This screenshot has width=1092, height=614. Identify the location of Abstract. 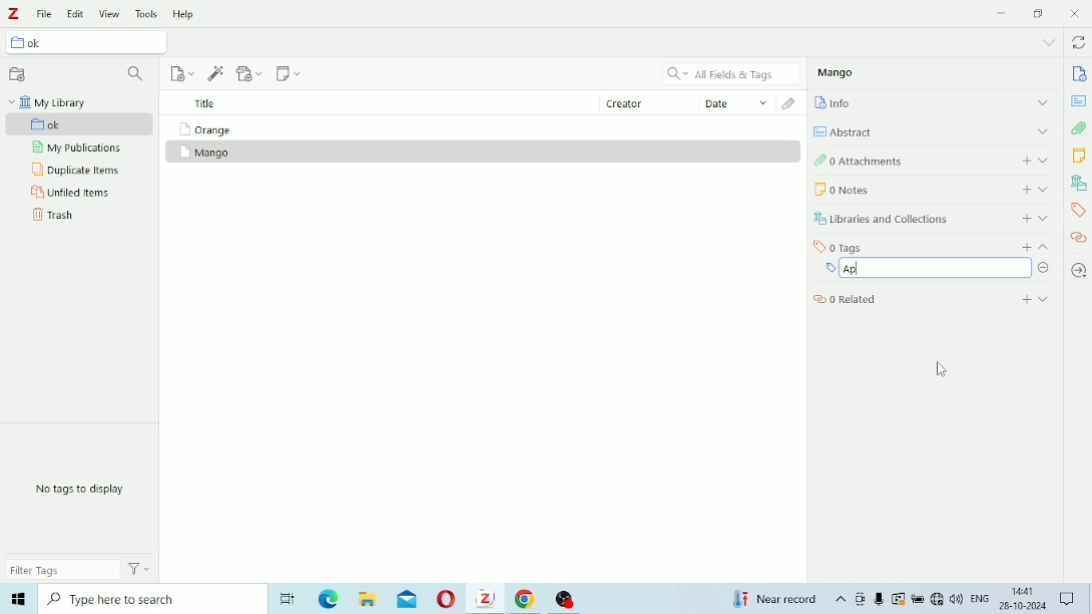
(933, 129).